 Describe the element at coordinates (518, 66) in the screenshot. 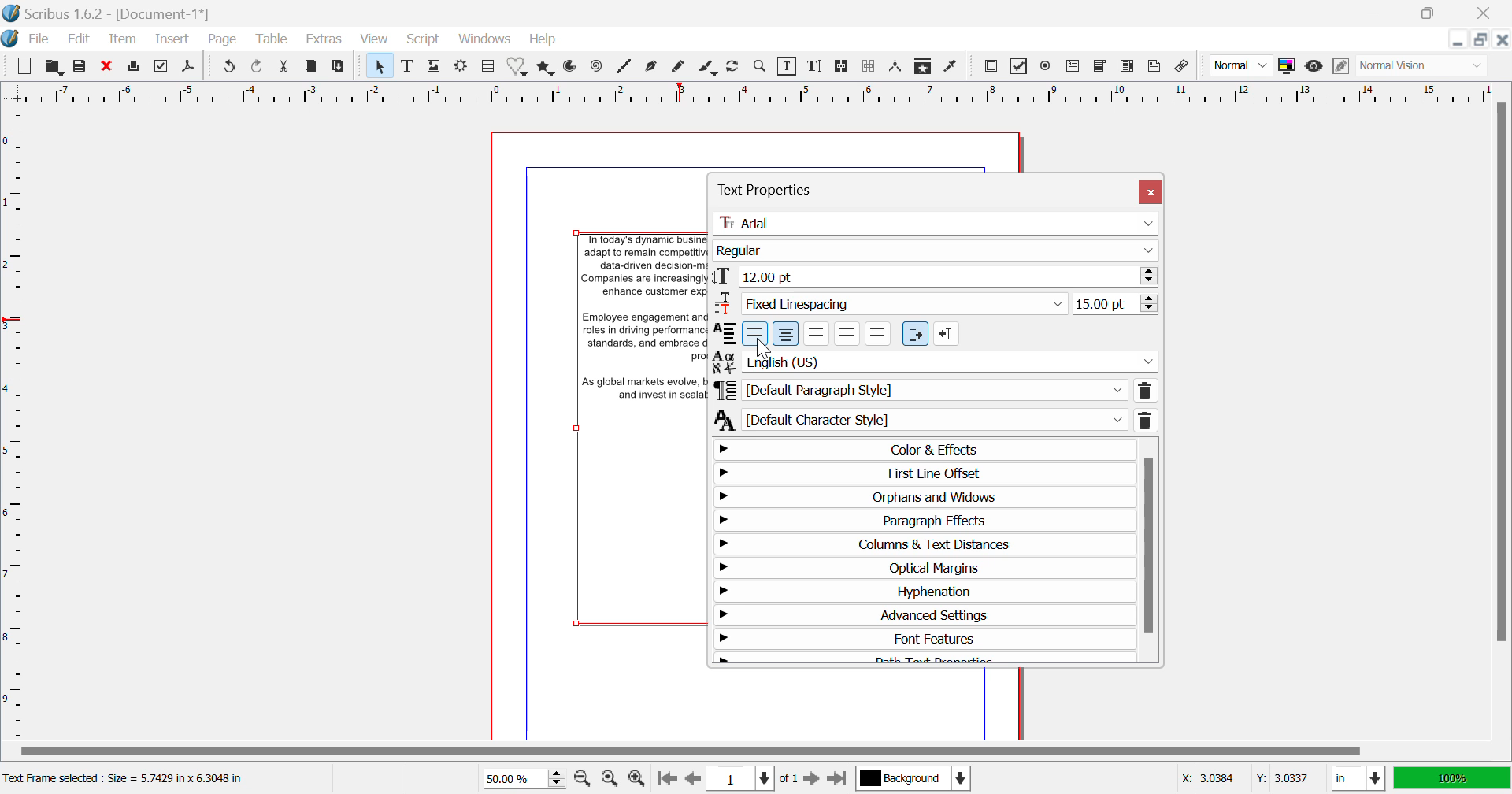

I see `Shapes` at that location.